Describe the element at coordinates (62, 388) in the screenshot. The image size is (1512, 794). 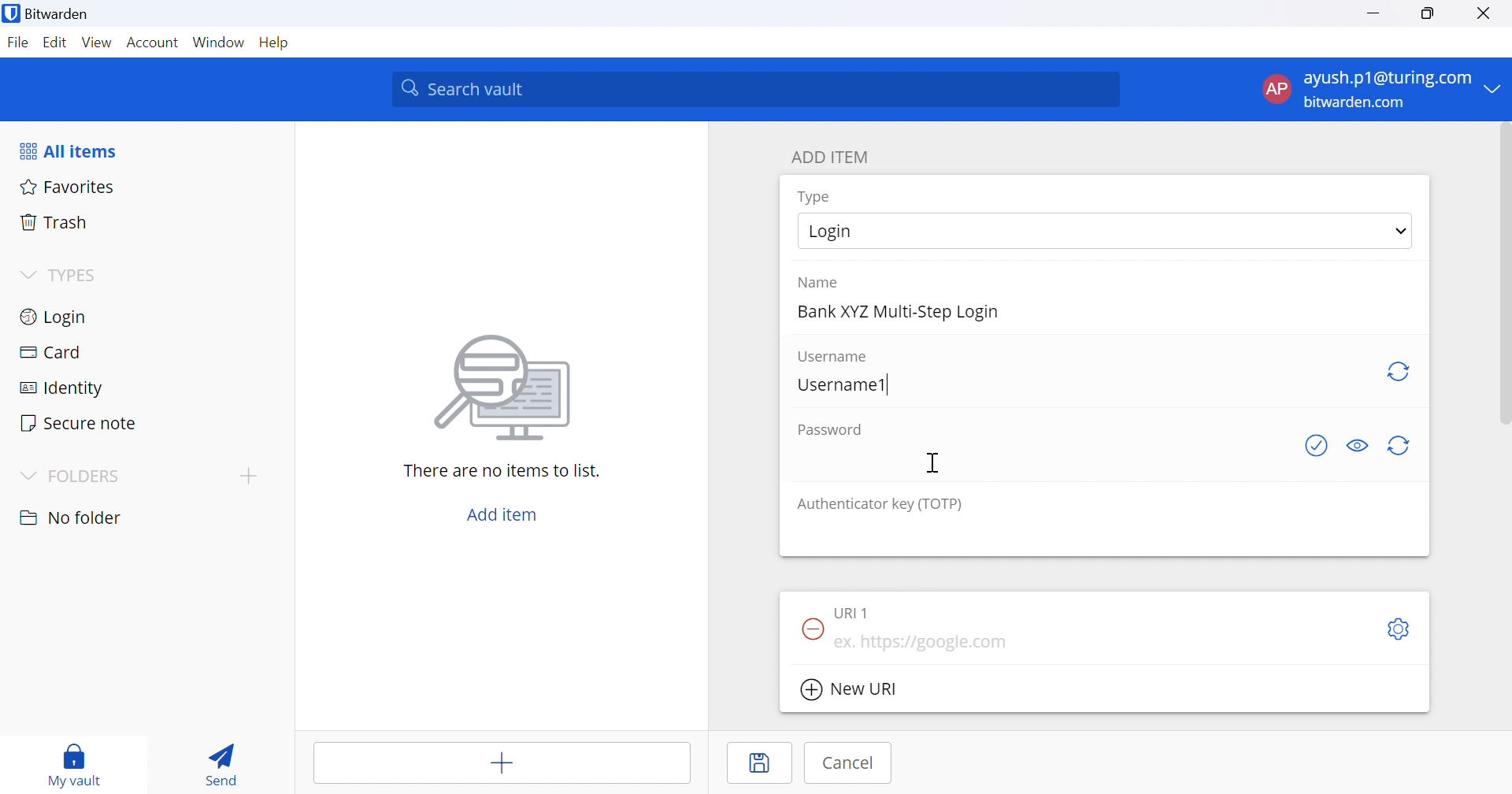
I see `Identity` at that location.